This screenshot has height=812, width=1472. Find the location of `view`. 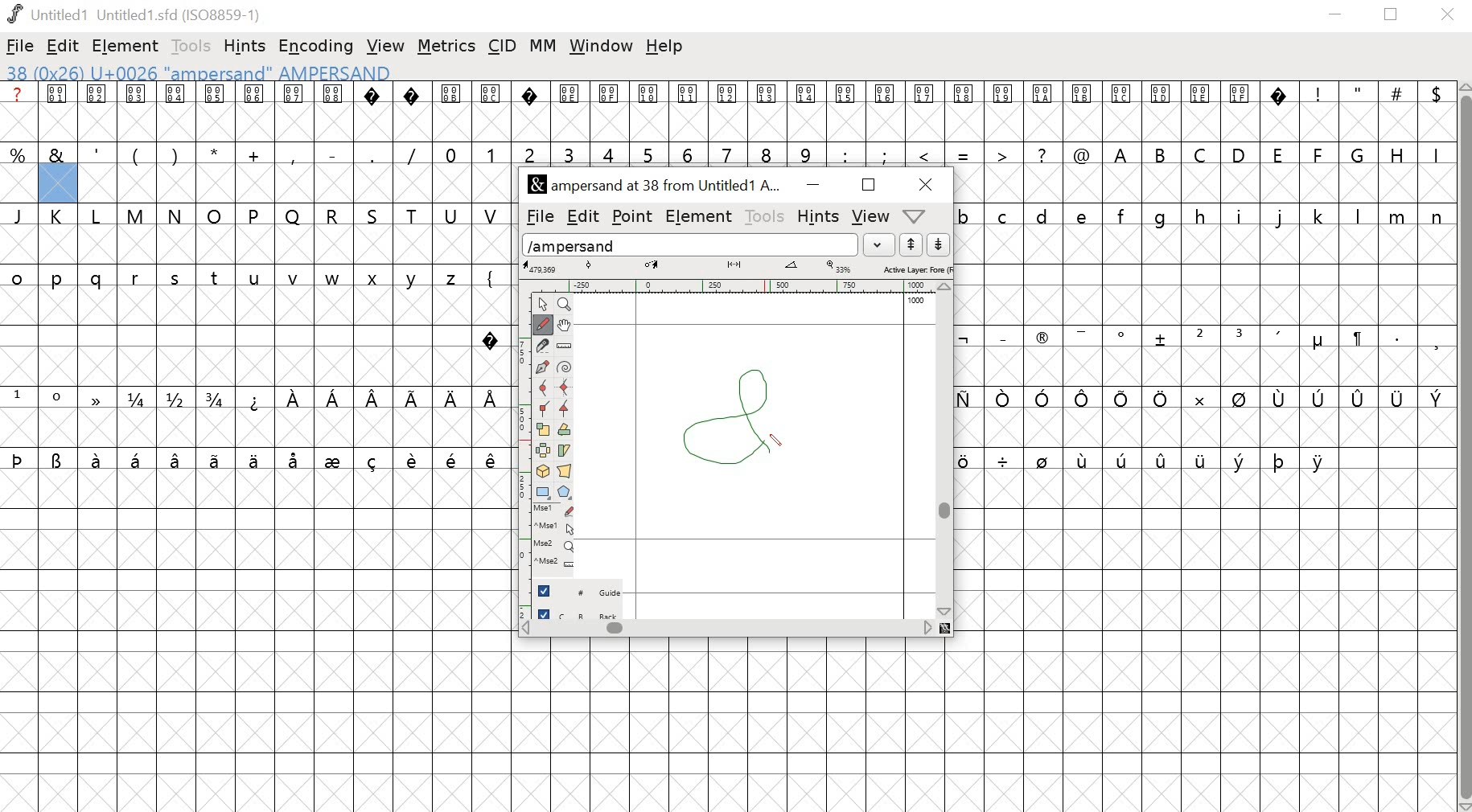

view is located at coordinates (386, 43).